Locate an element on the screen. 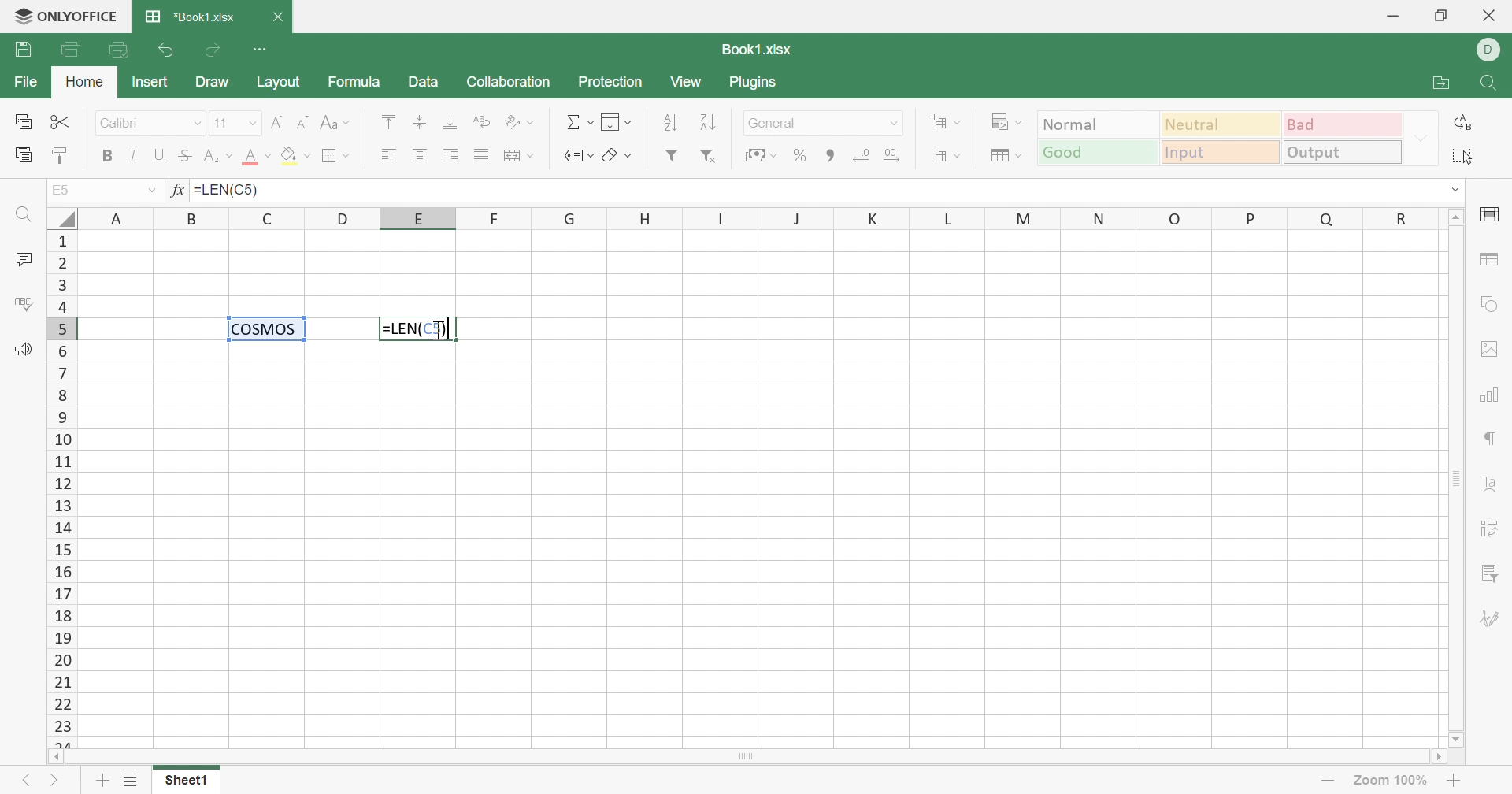 This screenshot has width=1512, height=794. Clear is located at coordinates (619, 157).